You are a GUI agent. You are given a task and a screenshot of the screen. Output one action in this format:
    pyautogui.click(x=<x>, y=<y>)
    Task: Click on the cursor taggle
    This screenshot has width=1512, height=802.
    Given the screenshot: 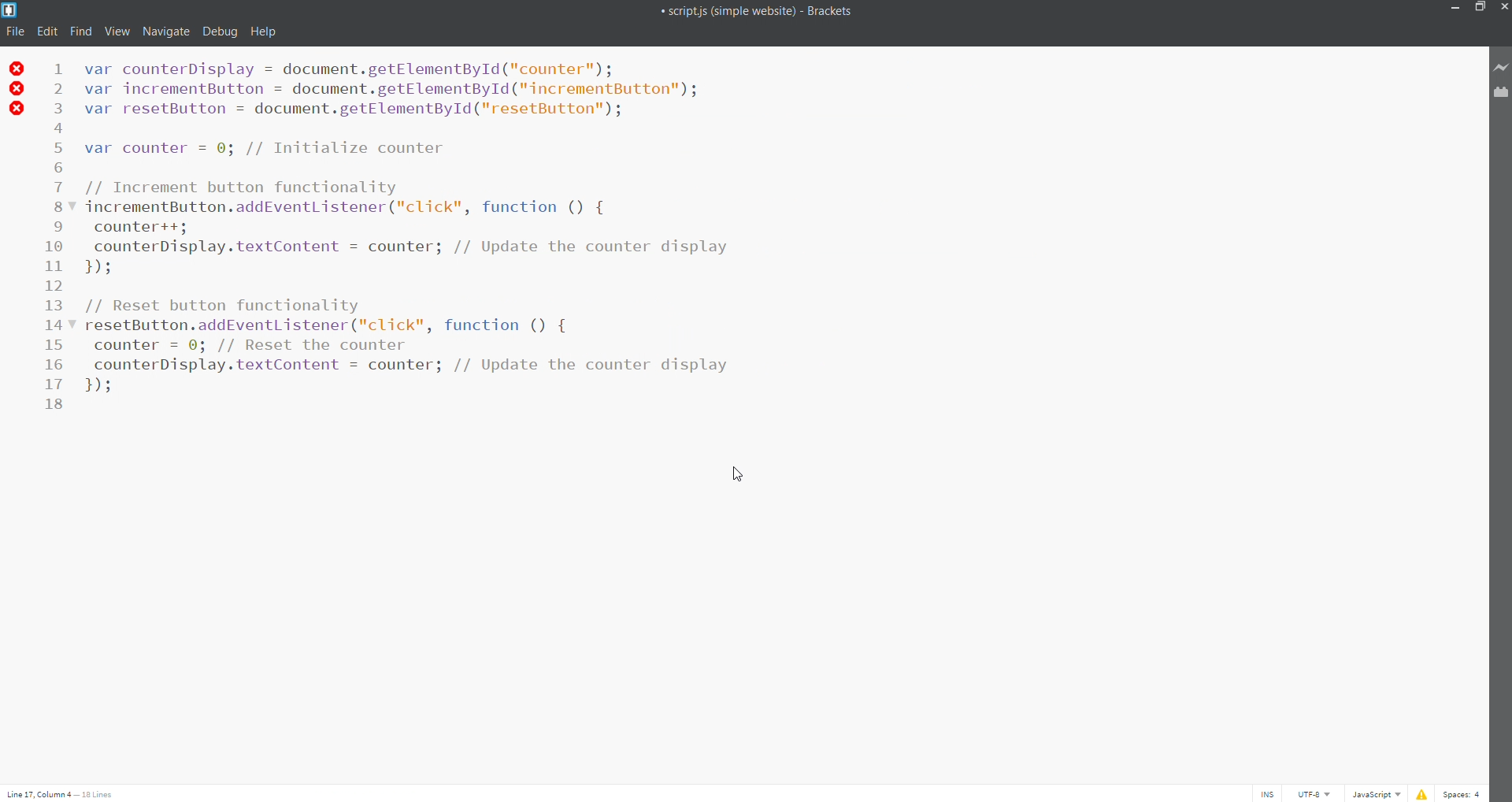 What is the action you would take?
    pyautogui.click(x=1267, y=793)
    